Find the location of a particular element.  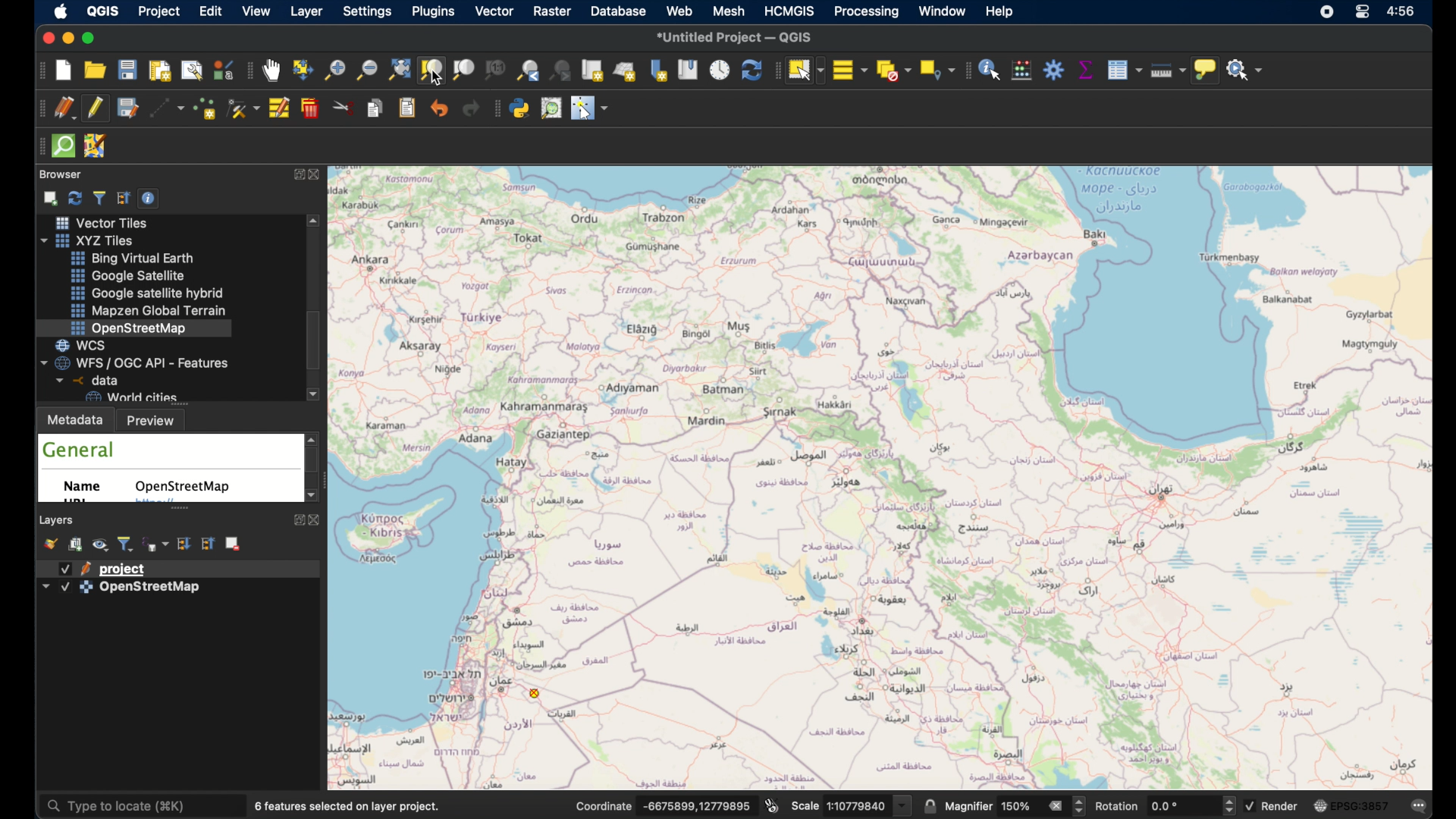

minimize is located at coordinates (67, 39).